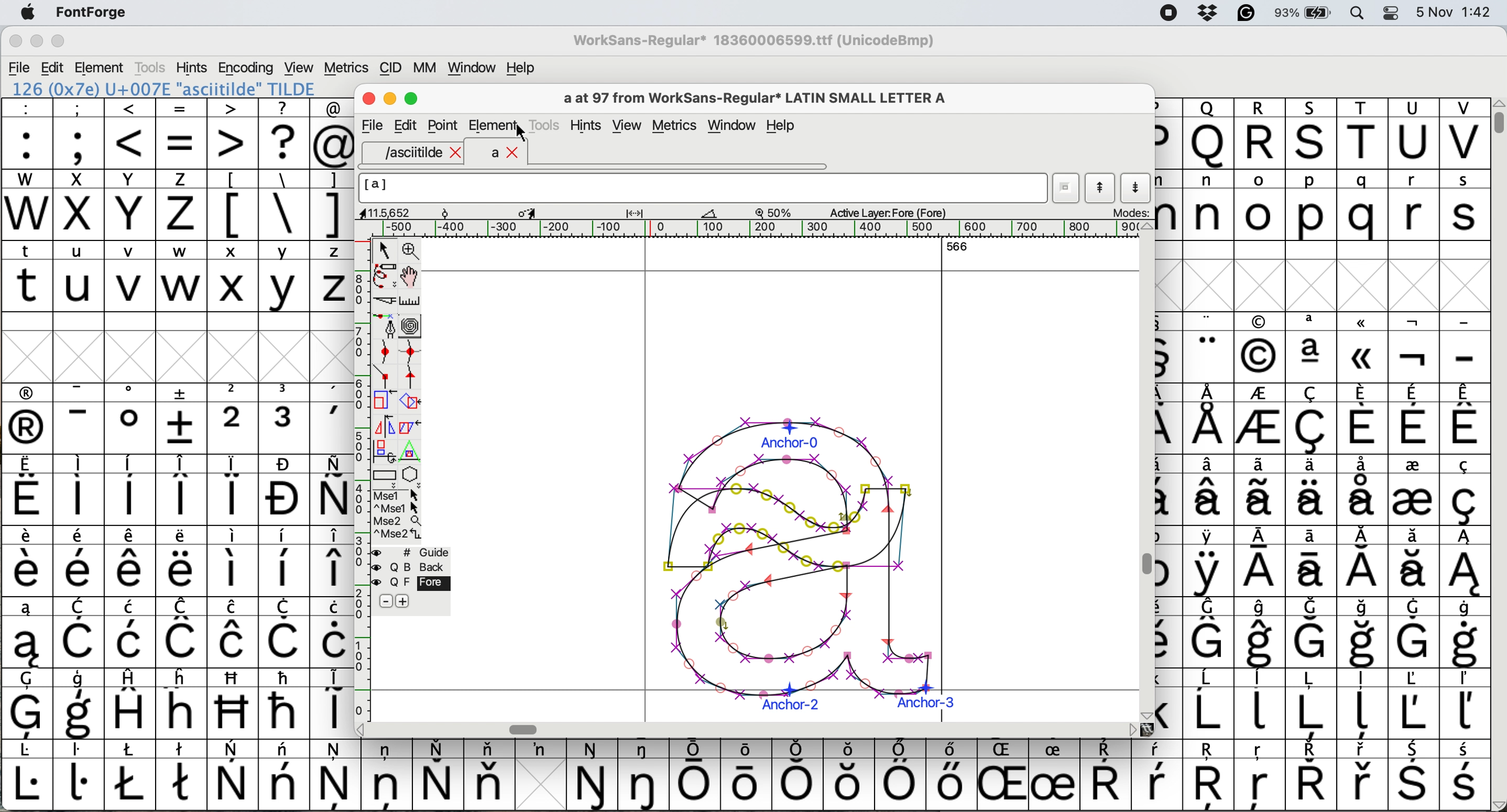  I want to click on symbol, so click(336, 774).